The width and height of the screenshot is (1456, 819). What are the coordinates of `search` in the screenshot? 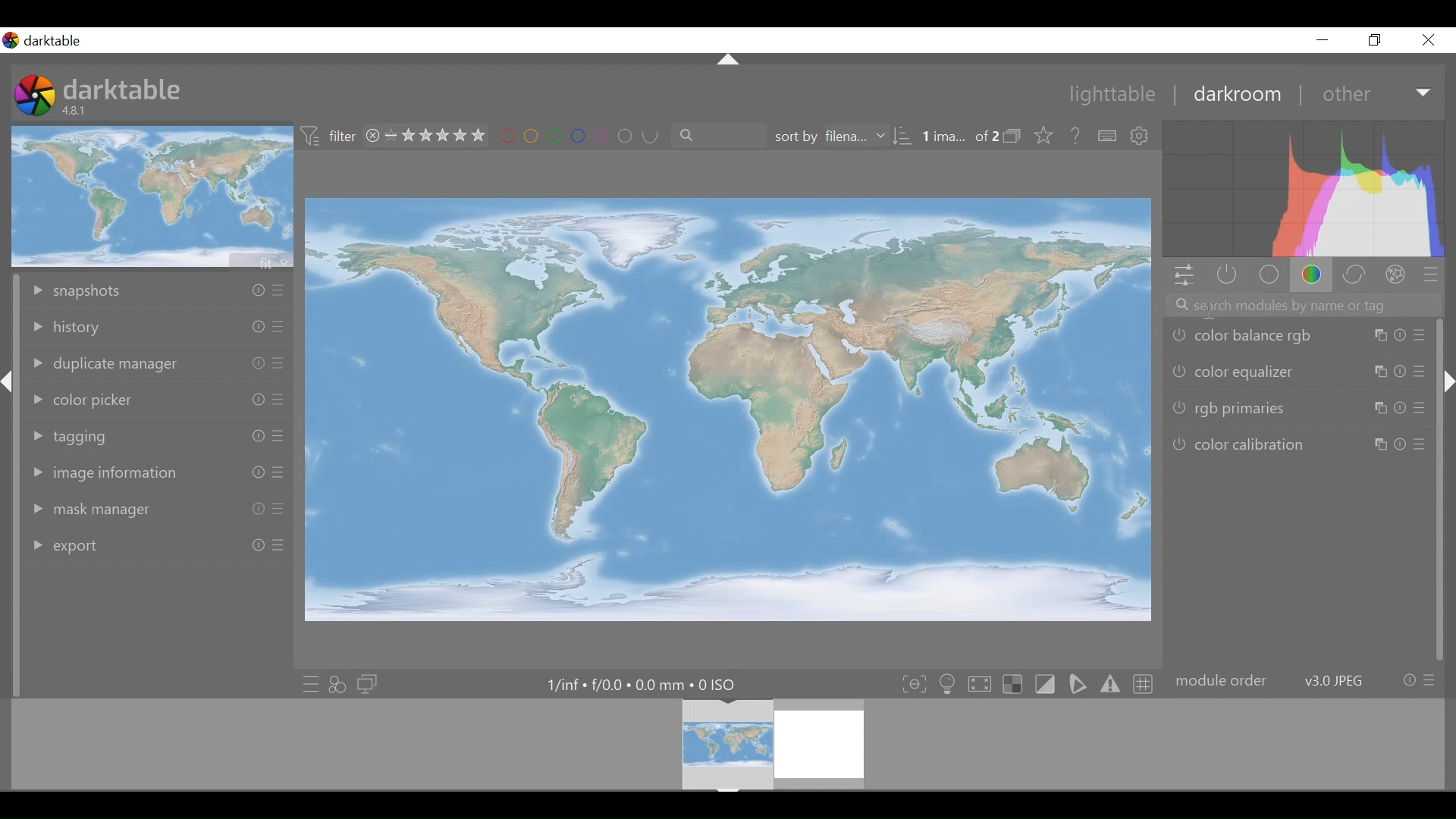 It's located at (713, 135).